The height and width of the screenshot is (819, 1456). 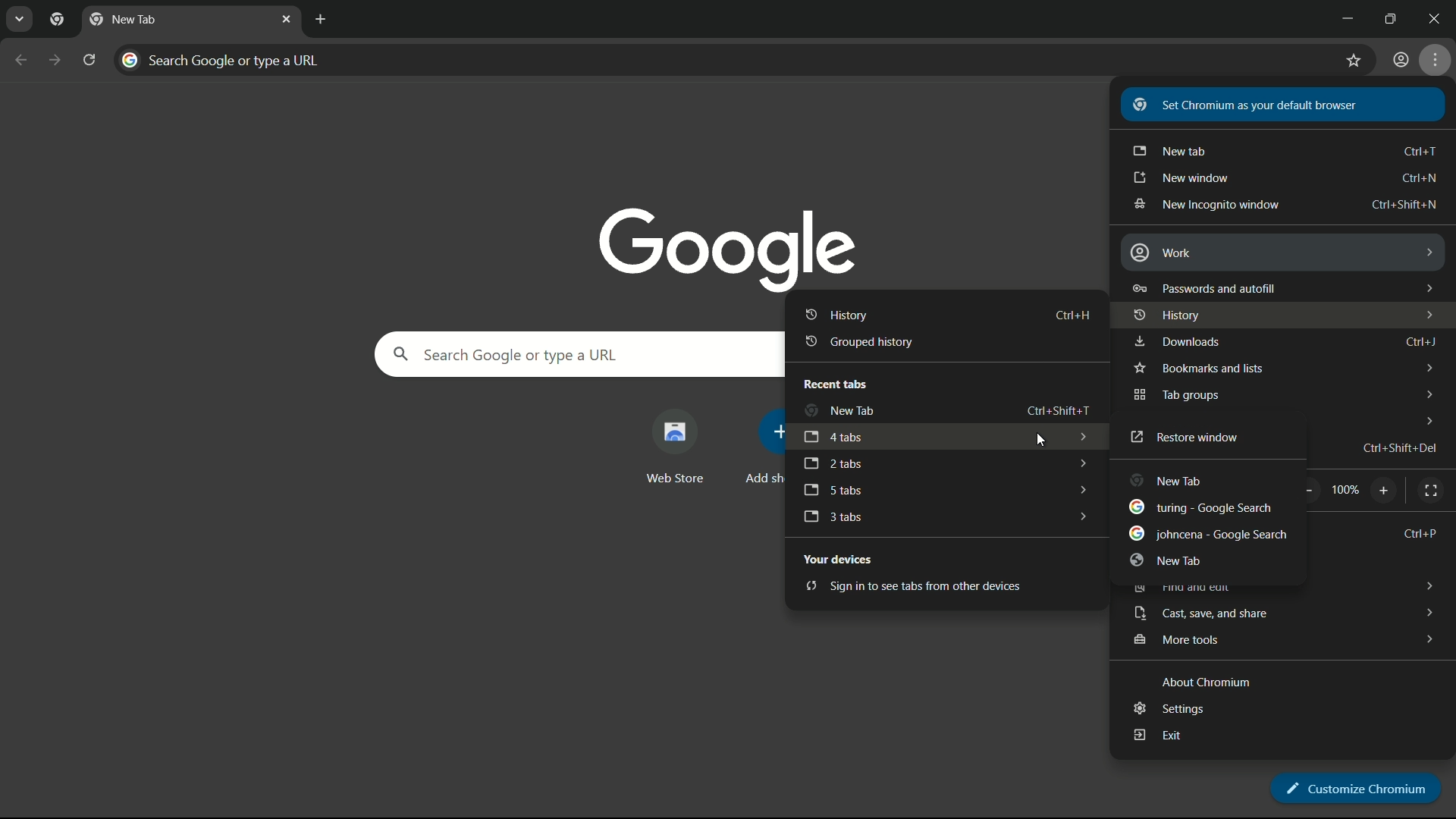 What do you see at coordinates (833, 491) in the screenshot?
I see `5 tabs` at bounding box center [833, 491].